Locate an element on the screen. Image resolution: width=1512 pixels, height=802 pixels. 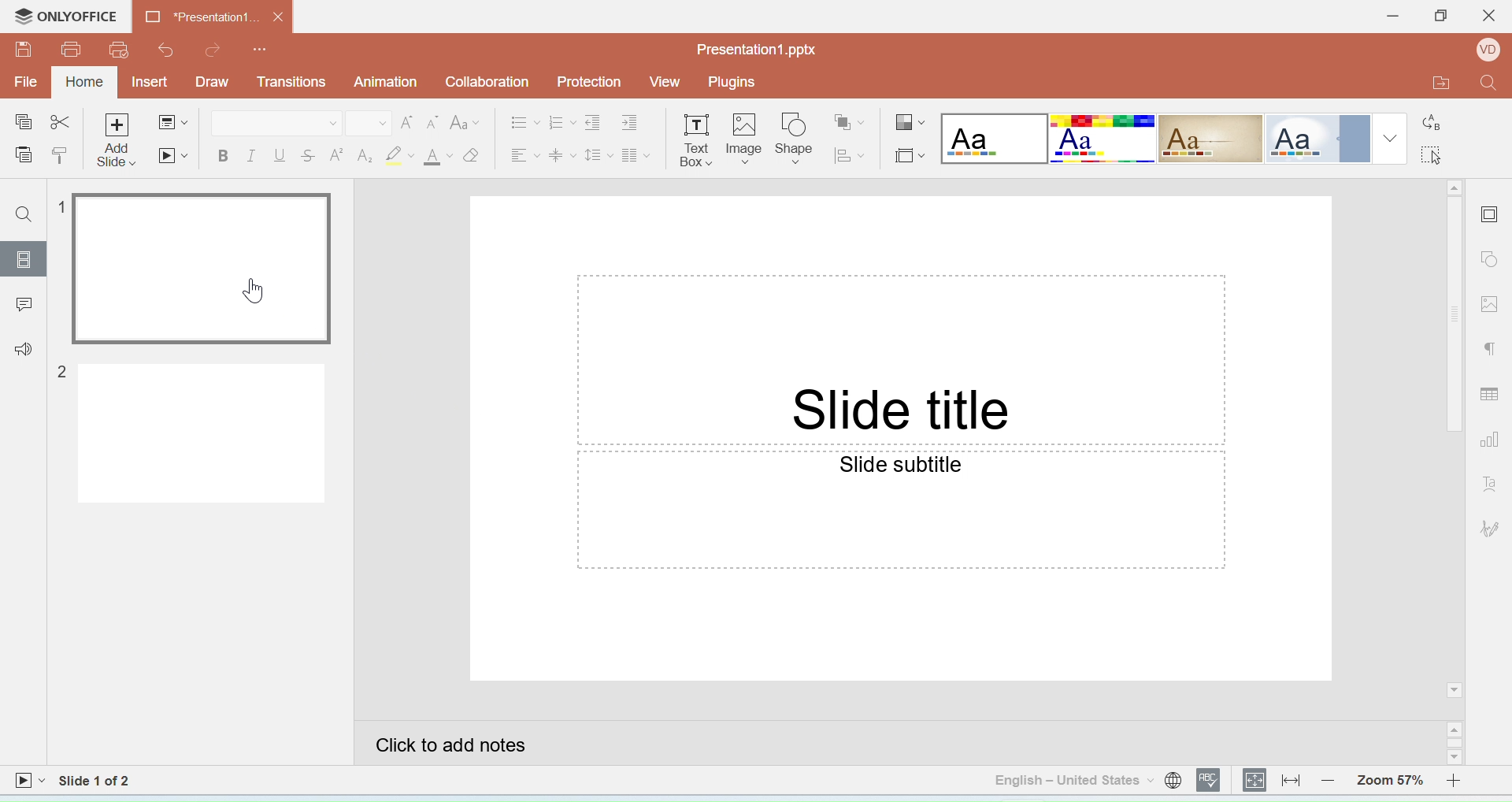
Font color is located at coordinates (439, 157).